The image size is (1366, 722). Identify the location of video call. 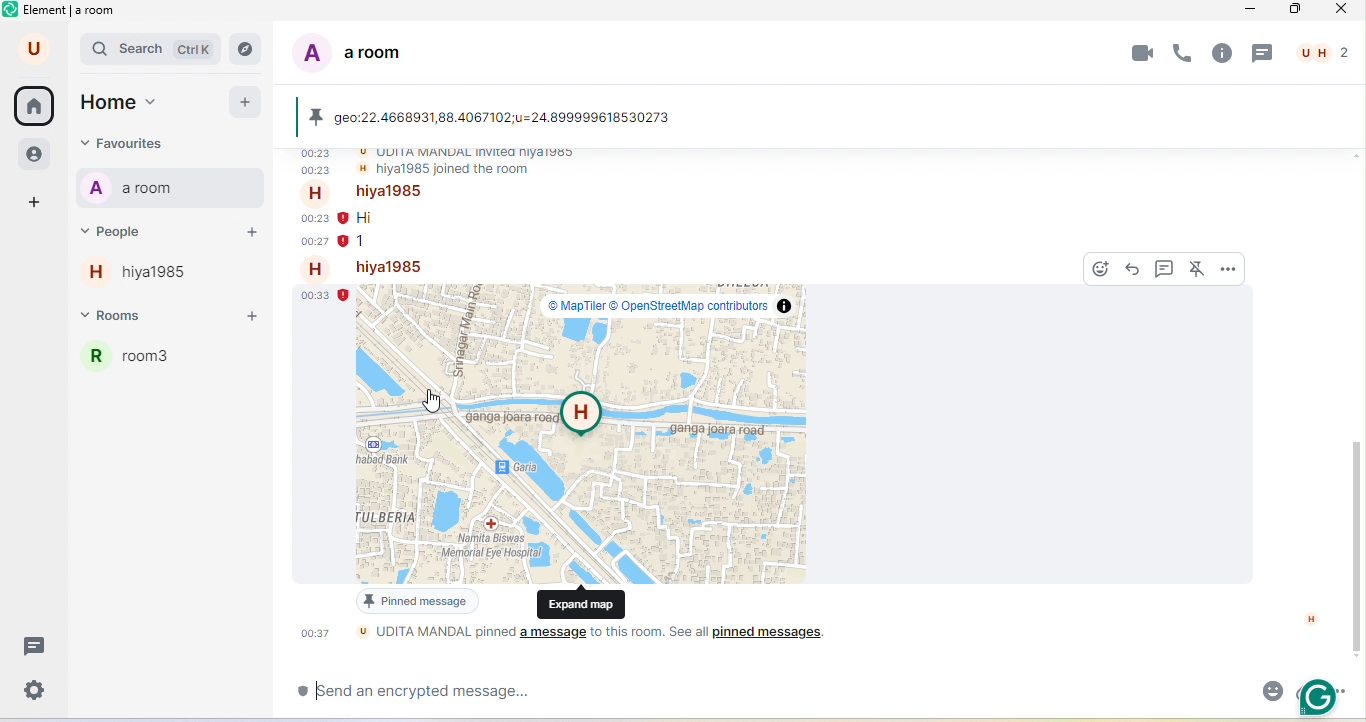
(1140, 54).